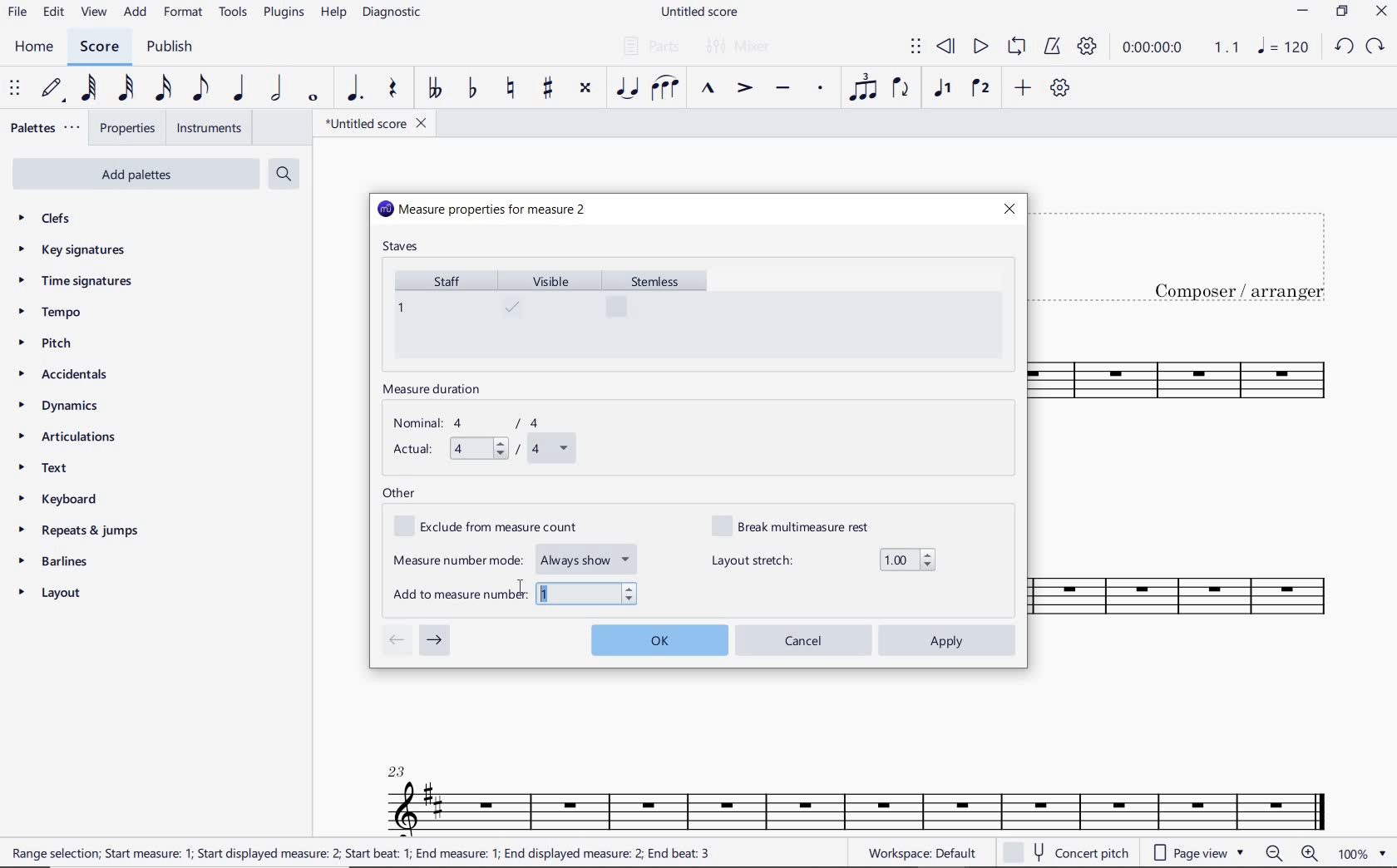 The width and height of the screenshot is (1397, 868). Describe the element at coordinates (549, 88) in the screenshot. I see `TOGGLE SHARP` at that location.